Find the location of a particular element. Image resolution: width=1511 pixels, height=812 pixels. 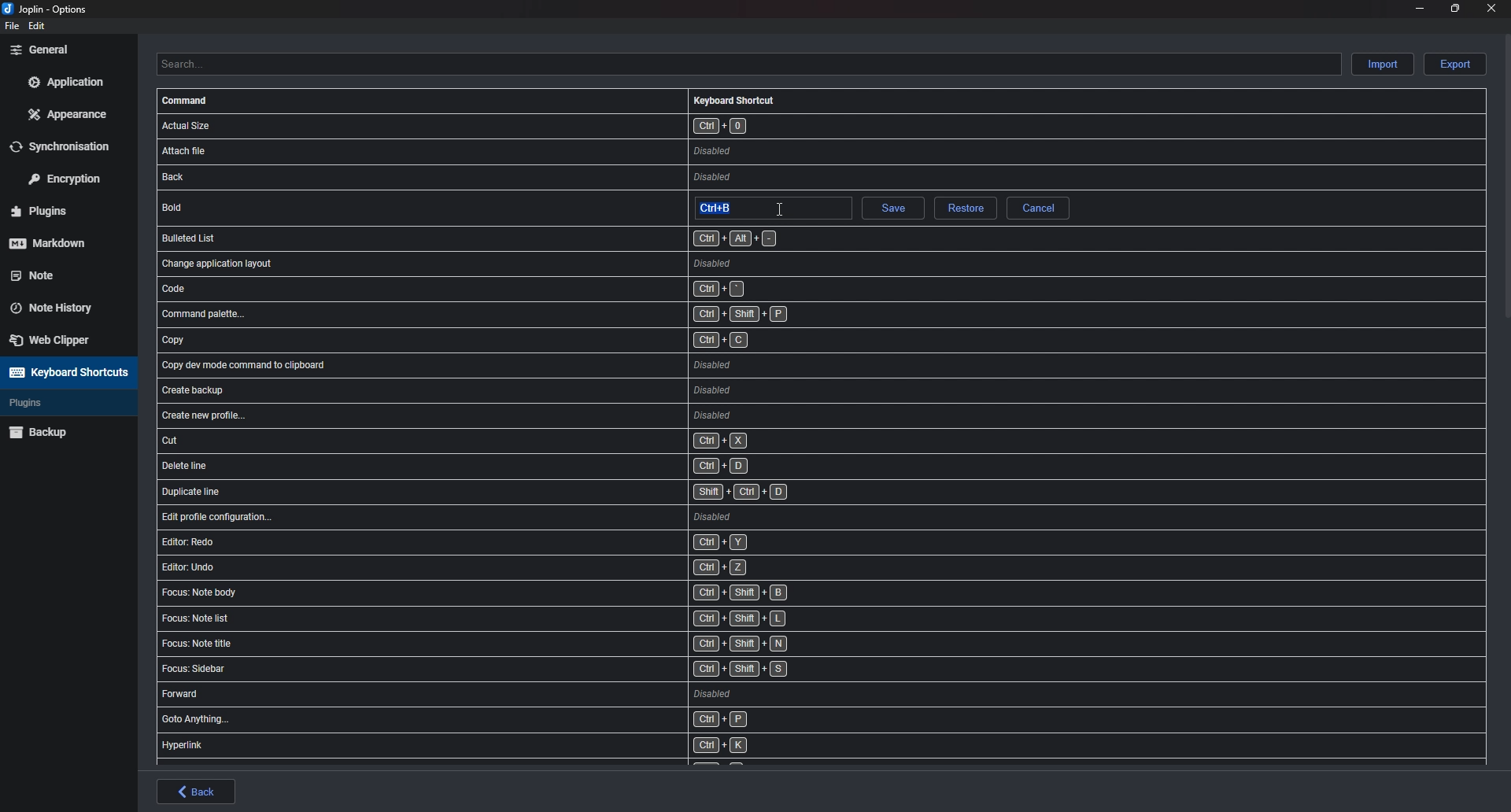

Import is located at coordinates (1384, 63).